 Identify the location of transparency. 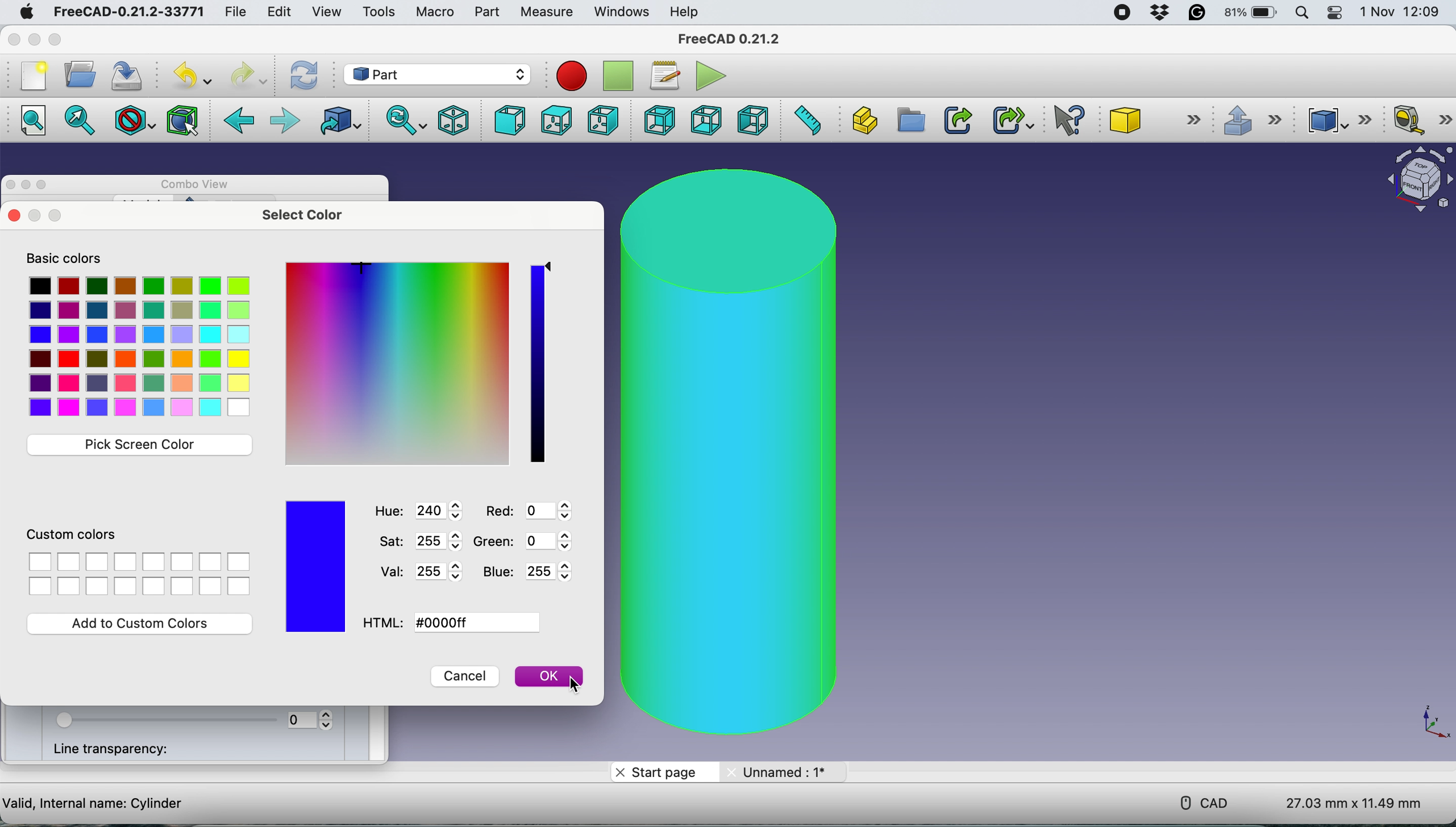
(192, 720).